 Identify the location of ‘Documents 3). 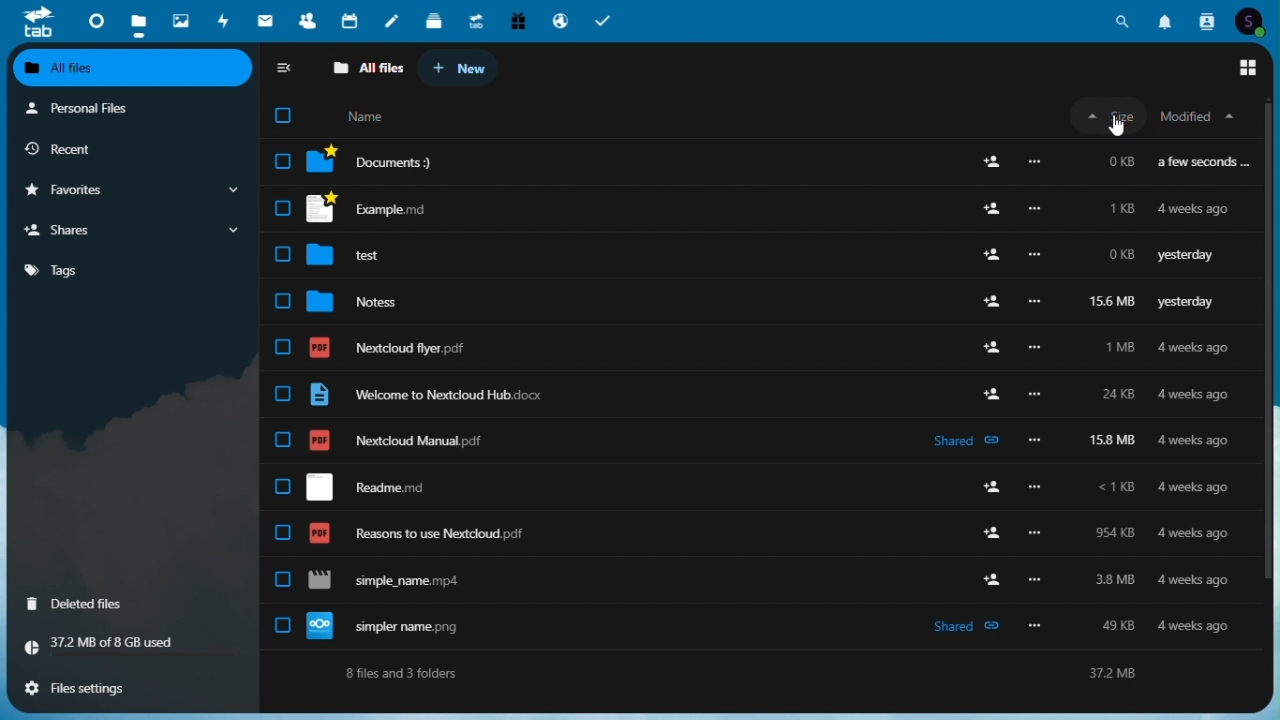
(761, 160).